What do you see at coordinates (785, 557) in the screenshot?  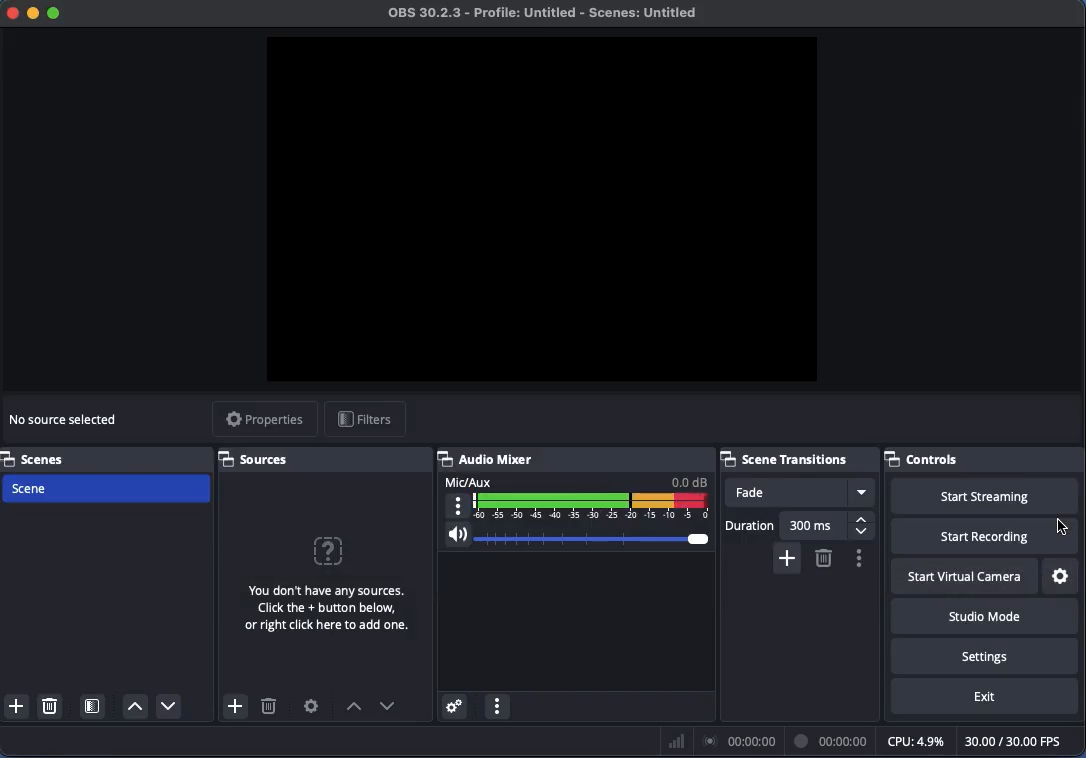 I see `Add` at bounding box center [785, 557].